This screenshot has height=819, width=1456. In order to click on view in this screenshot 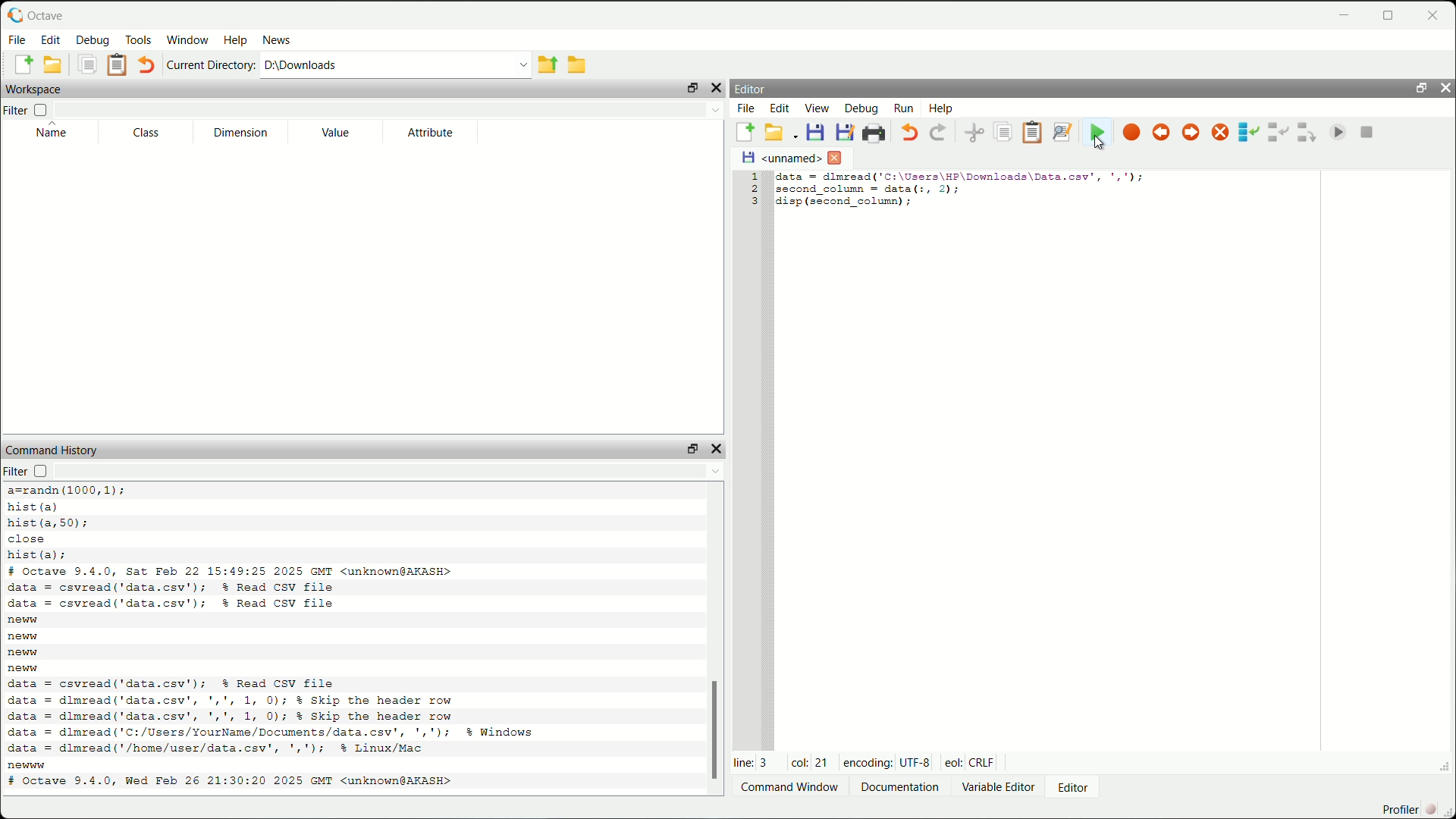, I will do `click(817, 111)`.